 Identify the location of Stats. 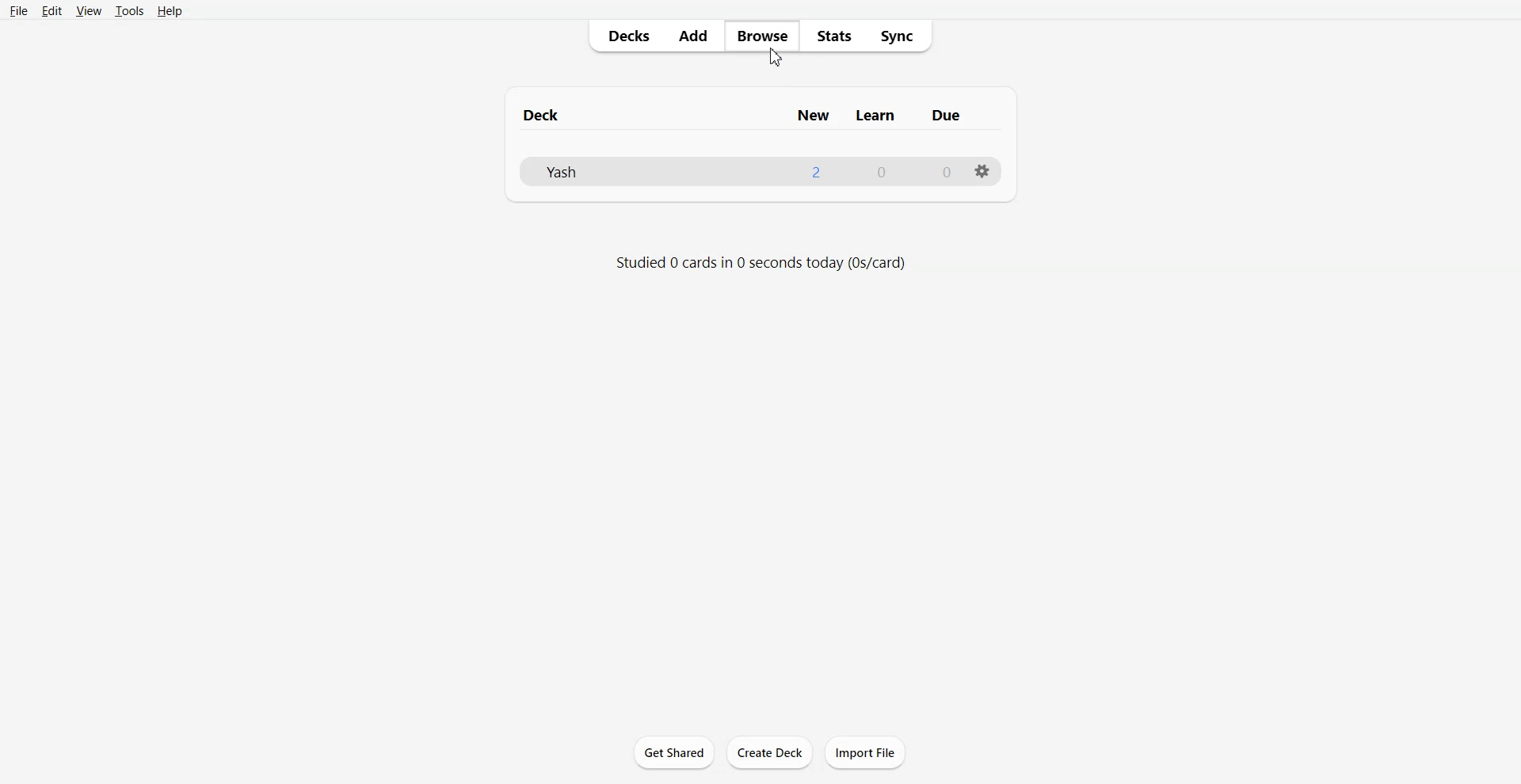
(837, 36).